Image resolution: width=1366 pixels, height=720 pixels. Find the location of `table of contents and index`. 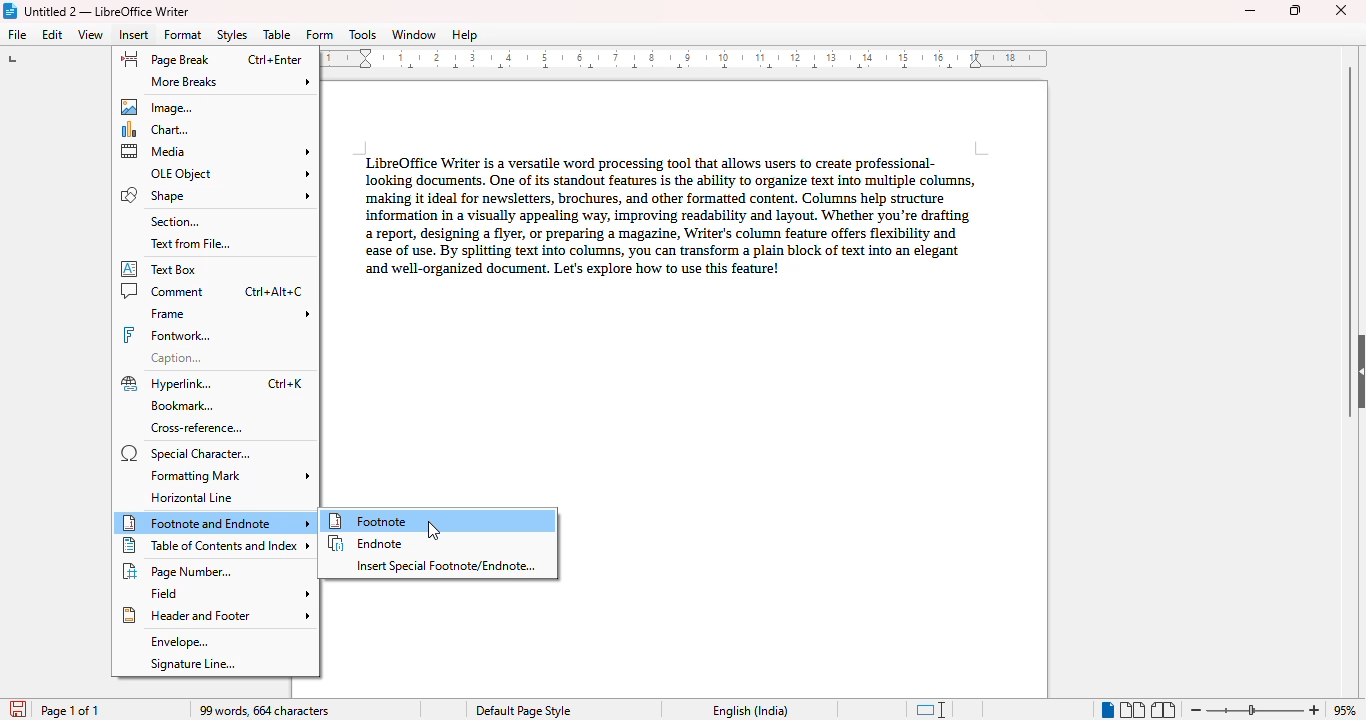

table of contents and index is located at coordinates (217, 546).